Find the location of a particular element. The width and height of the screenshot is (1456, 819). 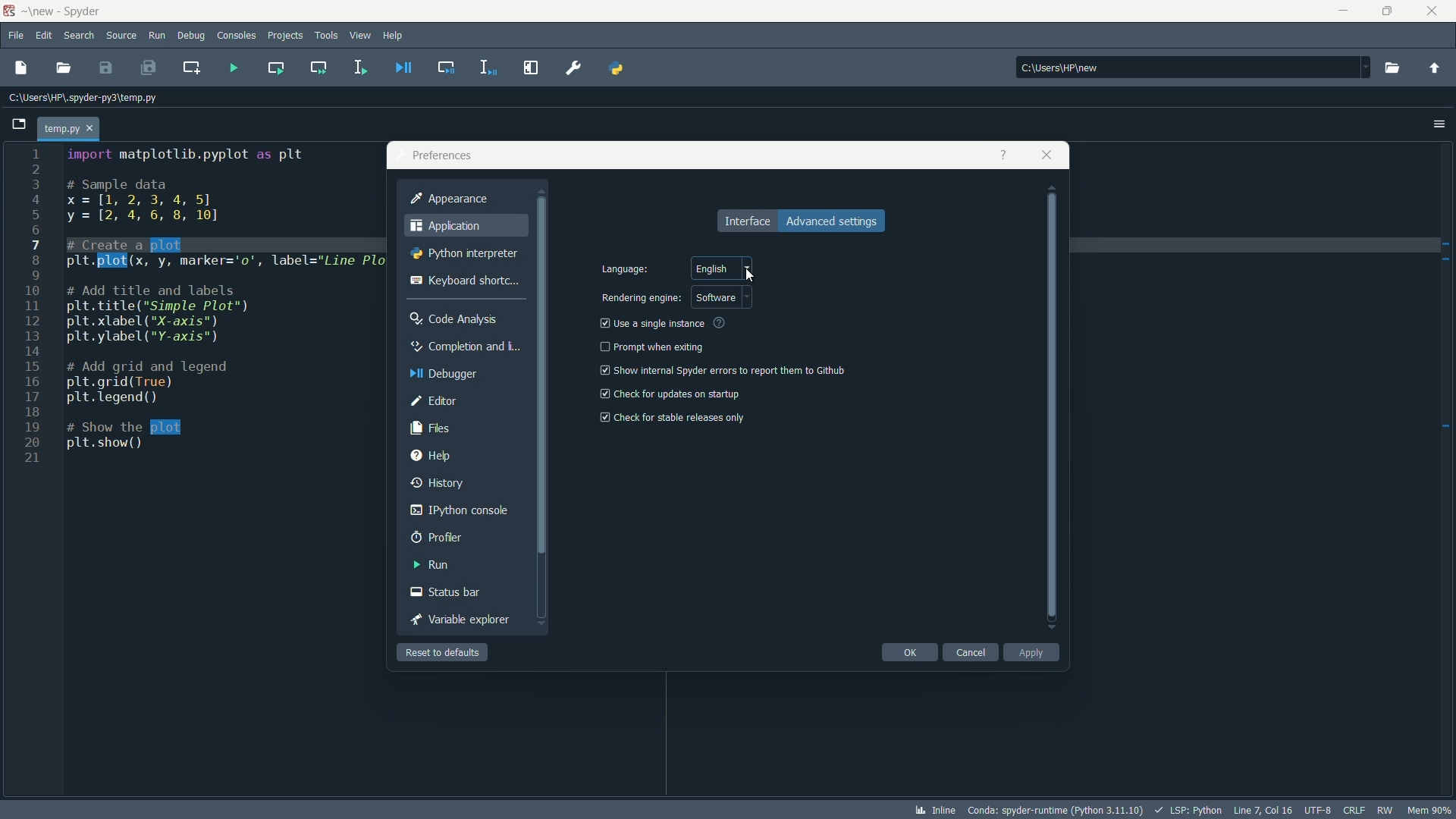

debug file is located at coordinates (404, 68).